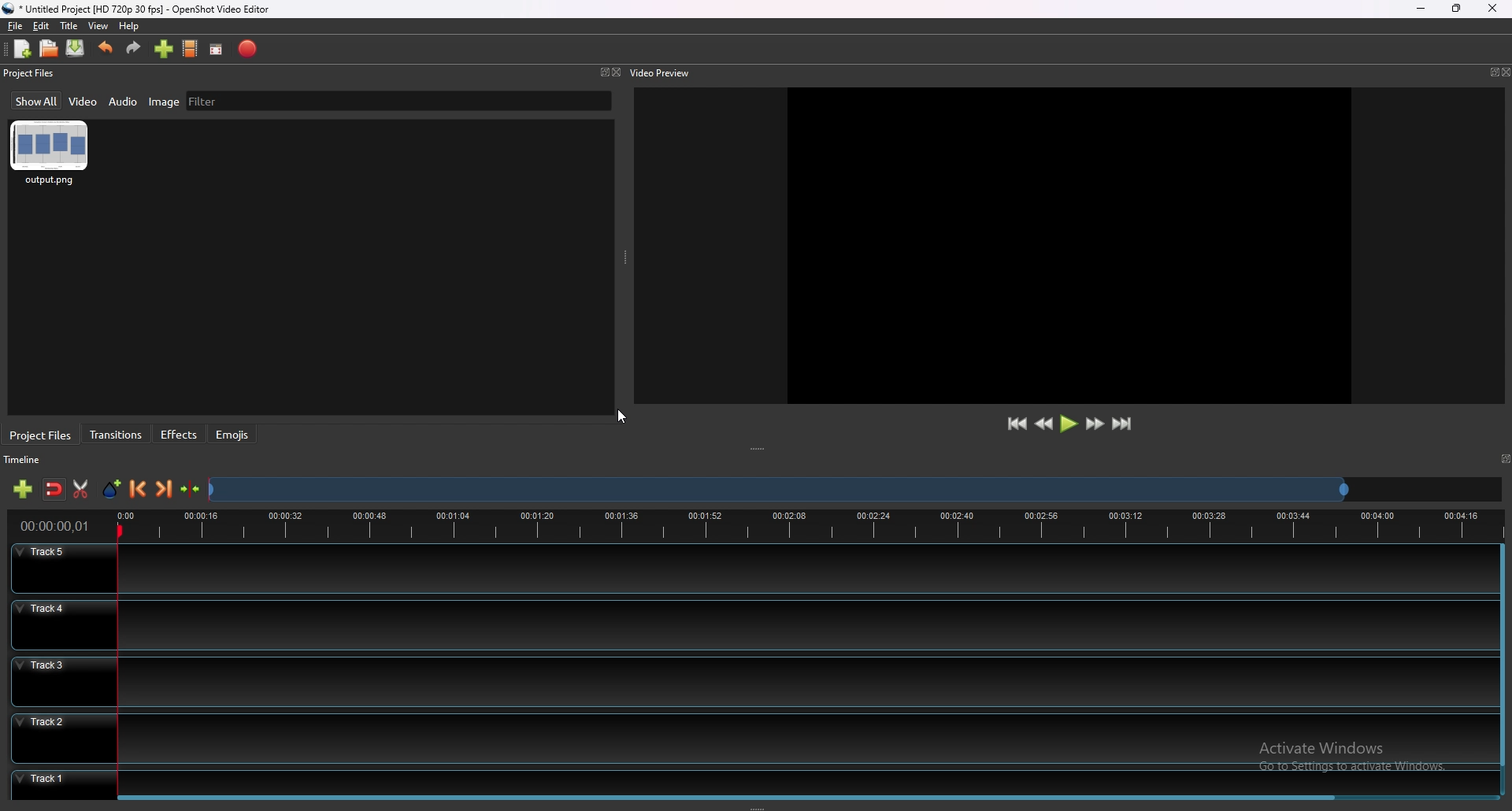 This screenshot has height=811, width=1512. What do you see at coordinates (191, 47) in the screenshot?
I see `choose profile` at bounding box center [191, 47].